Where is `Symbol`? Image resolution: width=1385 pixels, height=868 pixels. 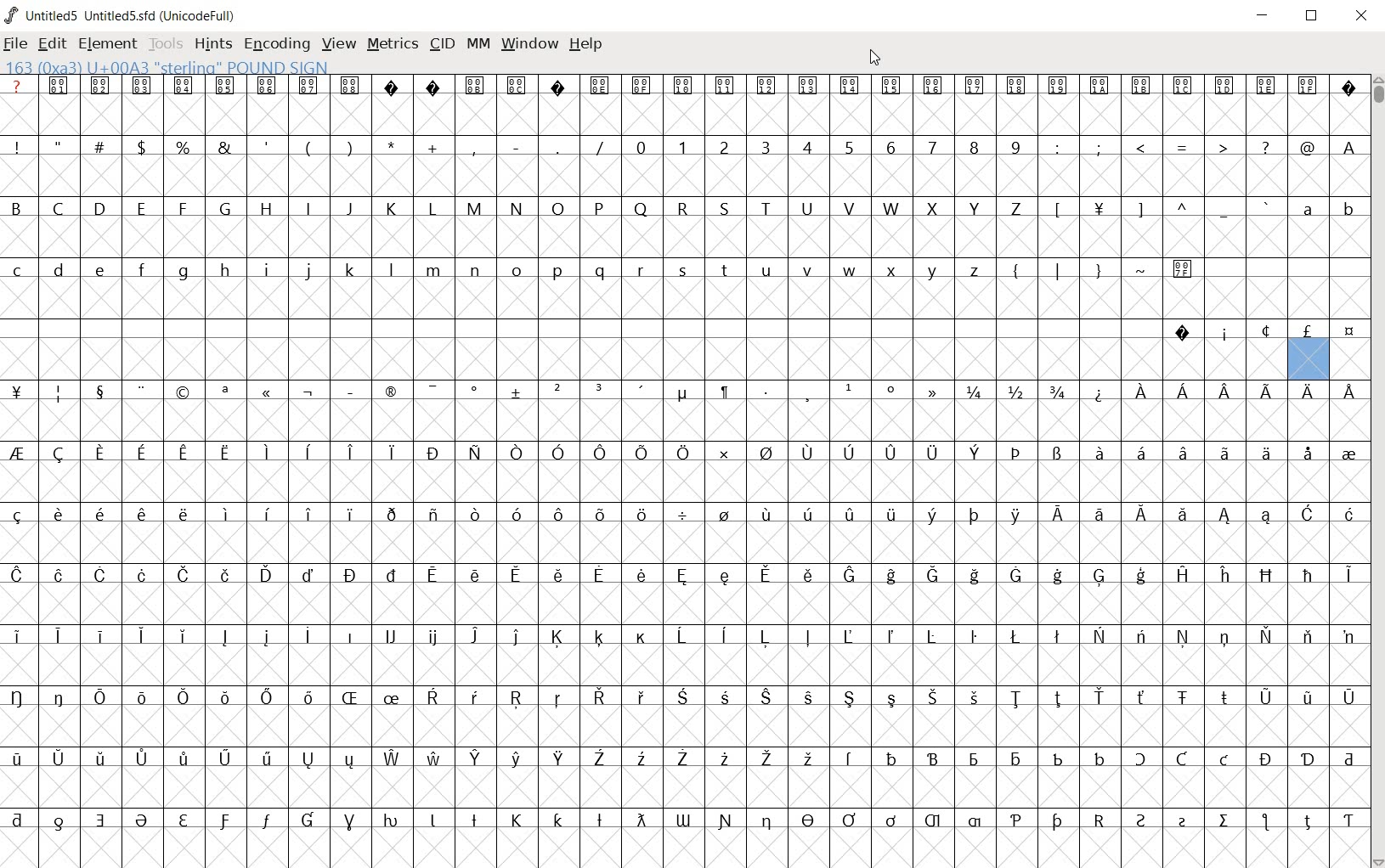 Symbol is located at coordinates (686, 453).